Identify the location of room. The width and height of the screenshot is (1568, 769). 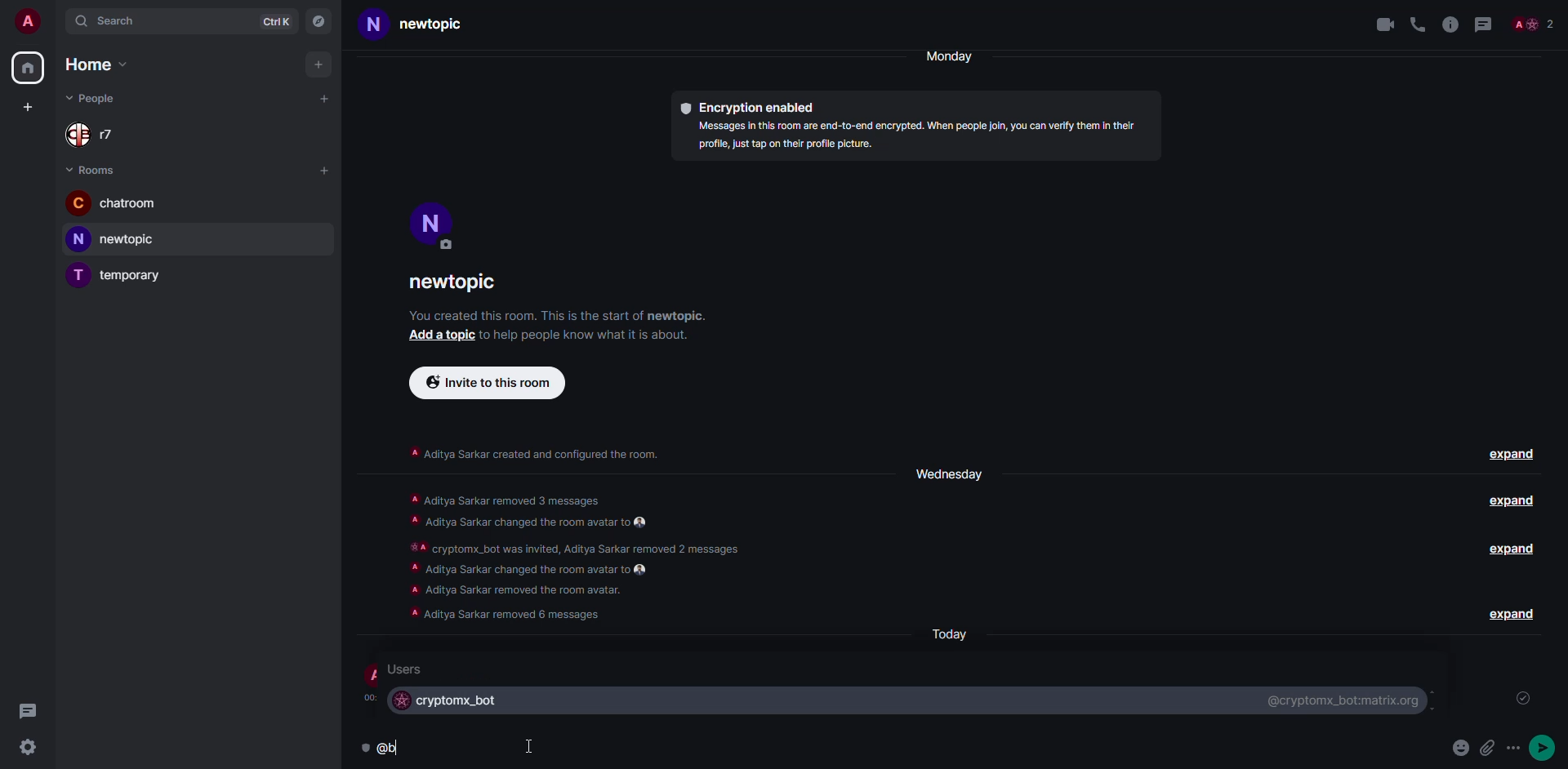
(120, 274).